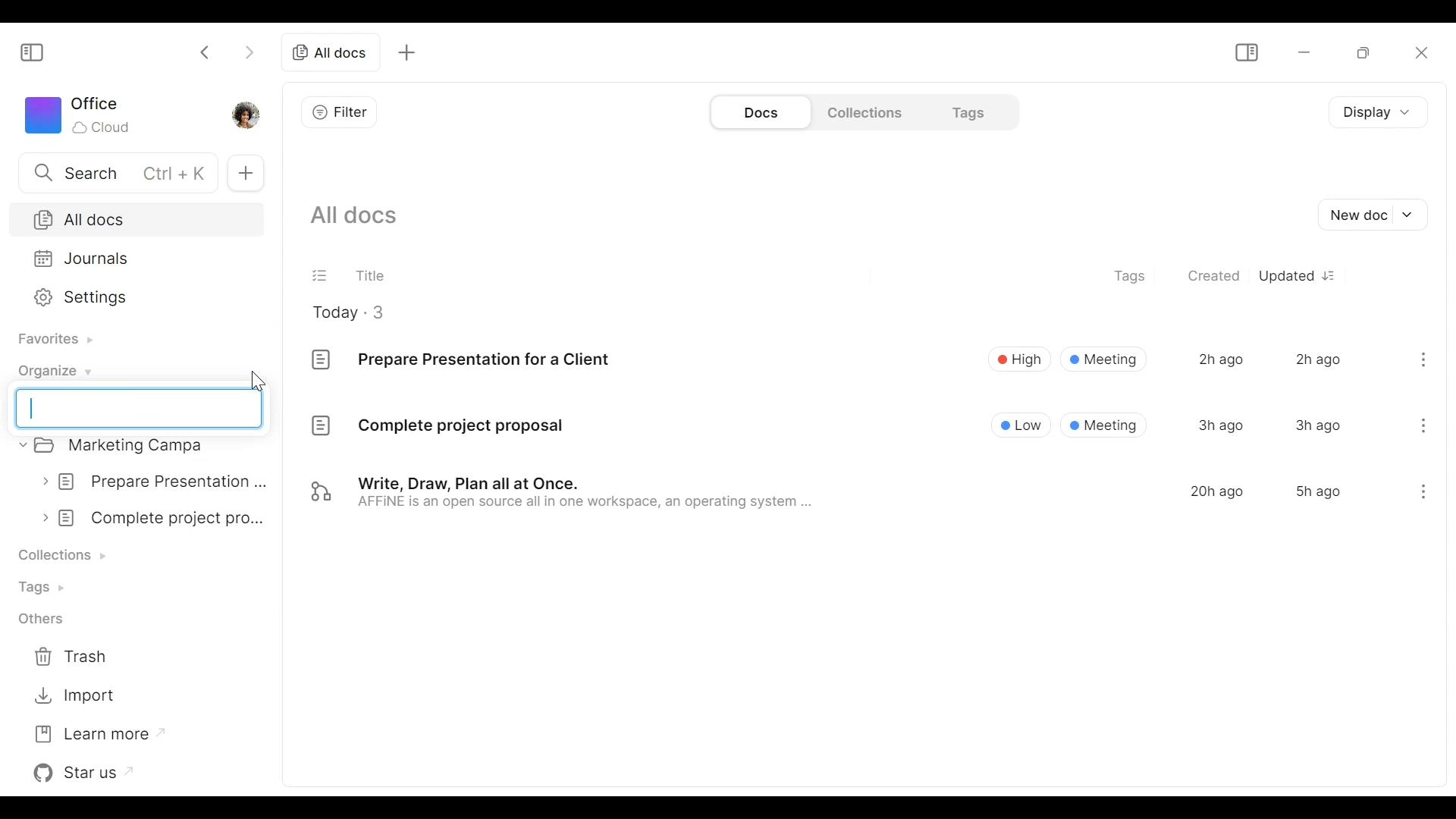 The image size is (1456, 819). I want to click on Documents, so click(759, 112).